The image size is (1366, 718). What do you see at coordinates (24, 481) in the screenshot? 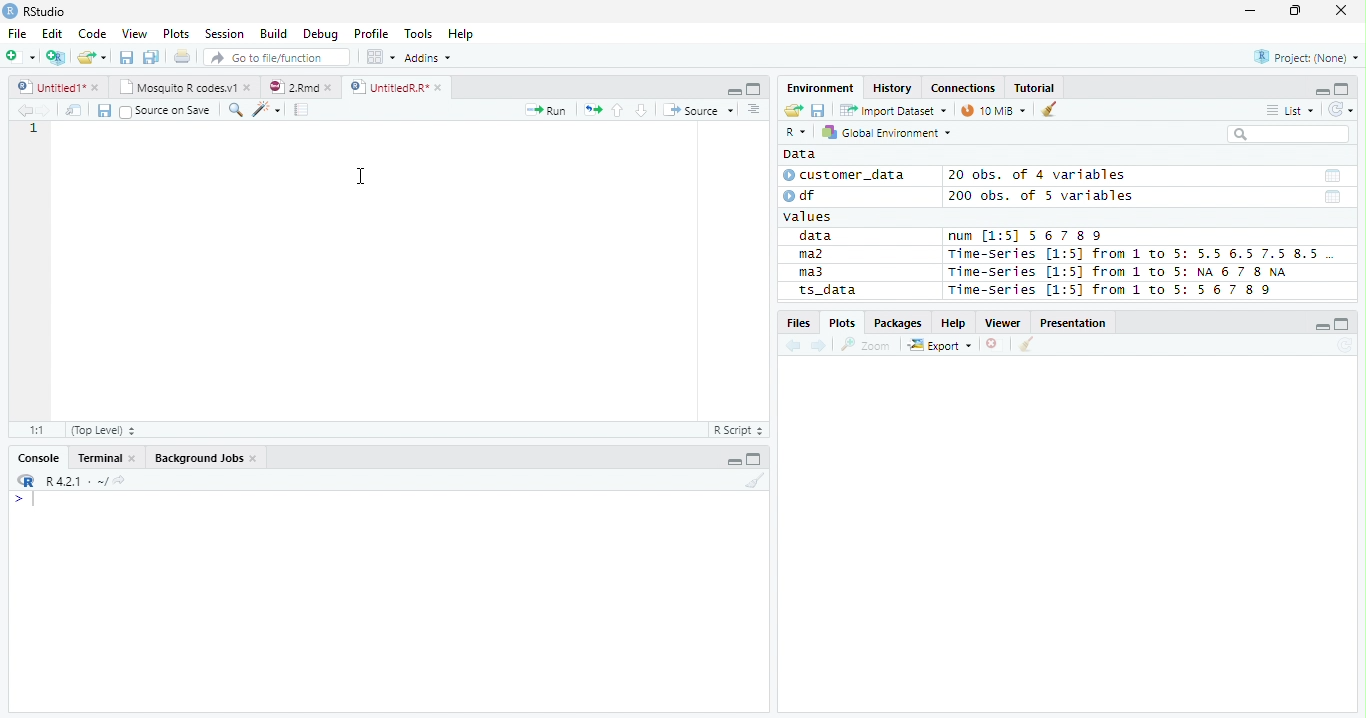
I see `R` at bounding box center [24, 481].